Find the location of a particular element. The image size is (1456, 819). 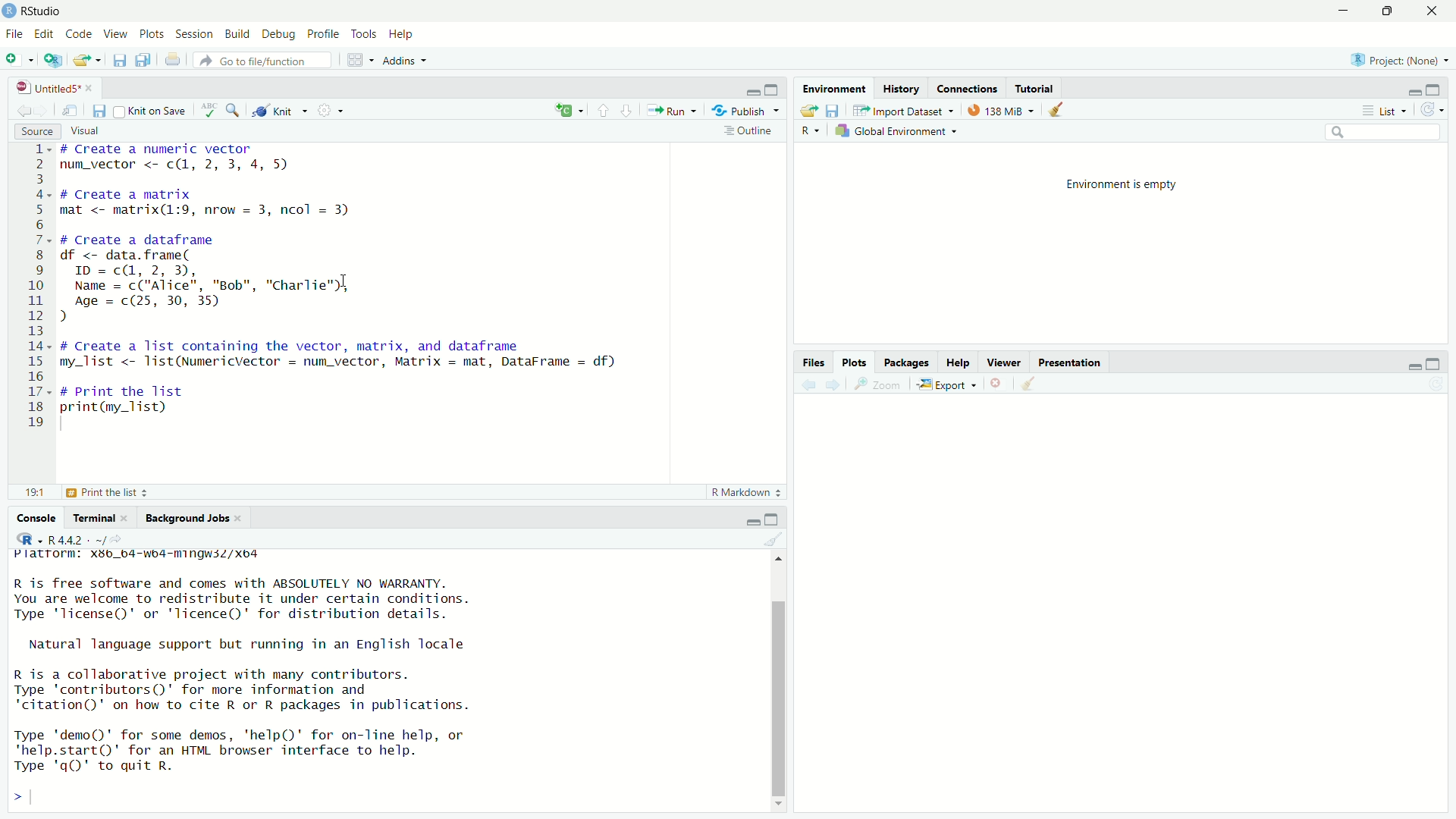

138 MiB ~ is located at coordinates (1003, 110).